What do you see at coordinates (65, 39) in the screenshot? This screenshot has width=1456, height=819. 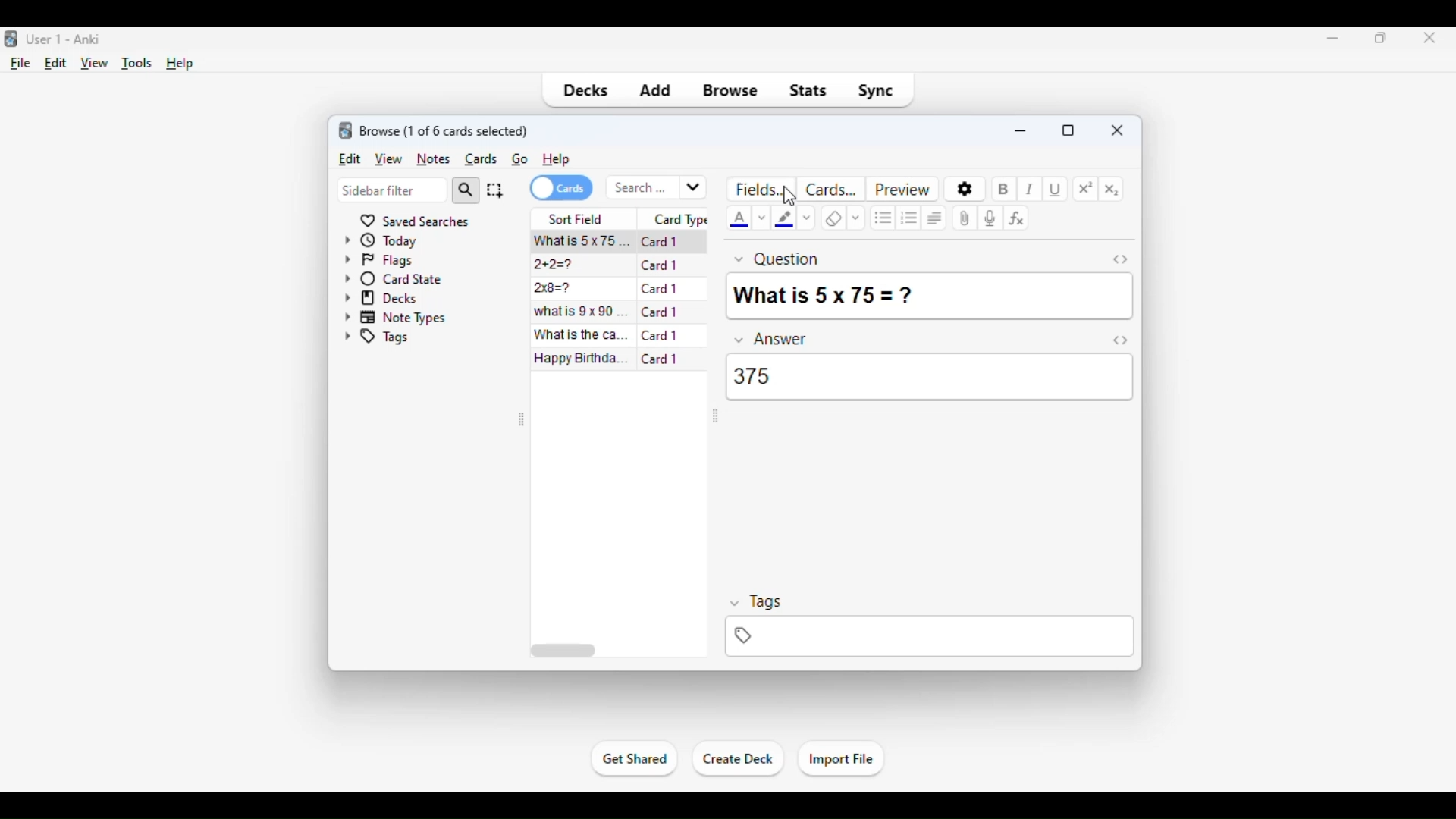 I see `title` at bounding box center [65, 39].